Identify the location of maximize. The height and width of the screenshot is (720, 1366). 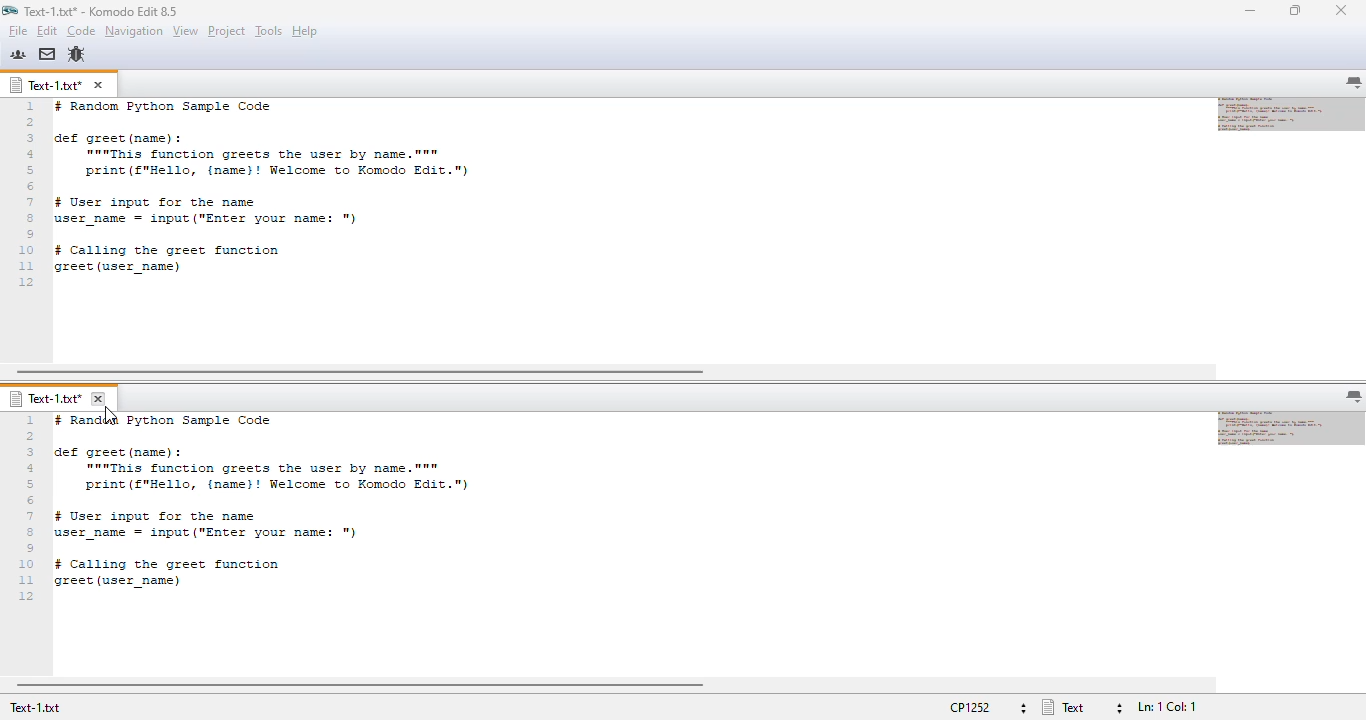
(1296, 11).